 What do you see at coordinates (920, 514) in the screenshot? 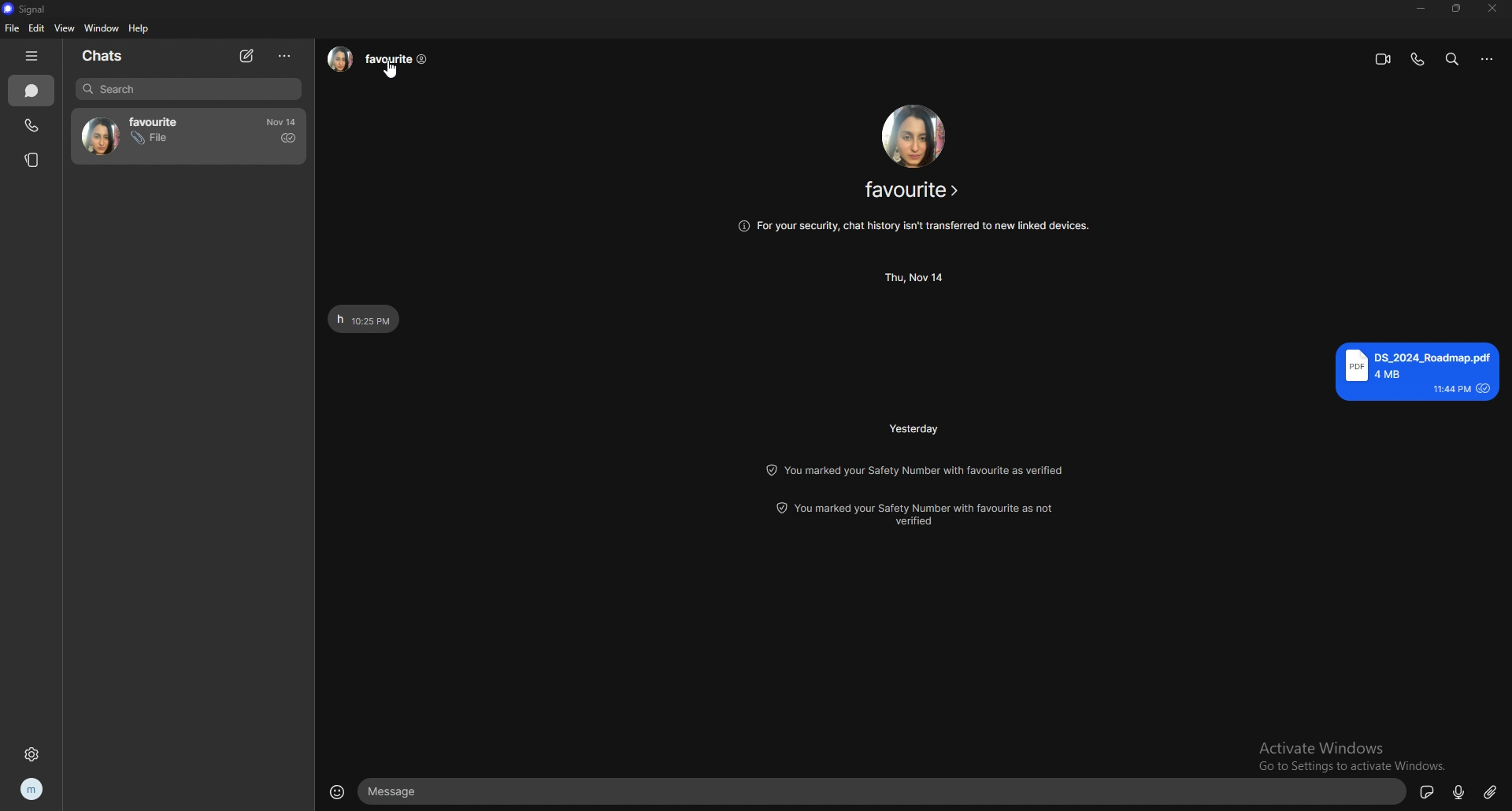
I see `update` at bounding box center [920, 514].